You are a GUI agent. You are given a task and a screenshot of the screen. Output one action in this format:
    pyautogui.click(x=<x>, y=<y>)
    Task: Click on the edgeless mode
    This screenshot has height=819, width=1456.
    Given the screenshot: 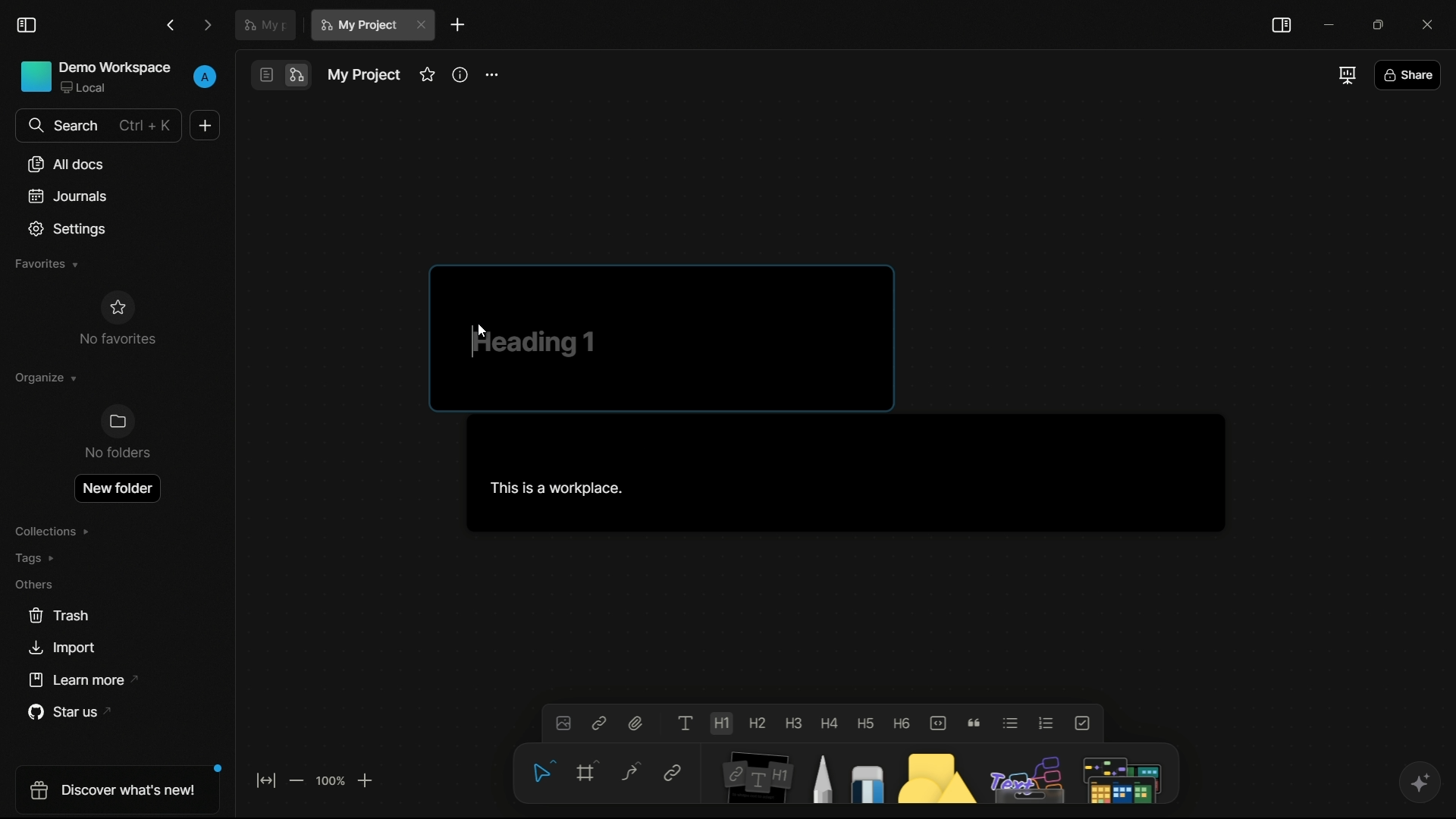 What is the action you would take?
    pyautogui.click(x=297, y=76)
    